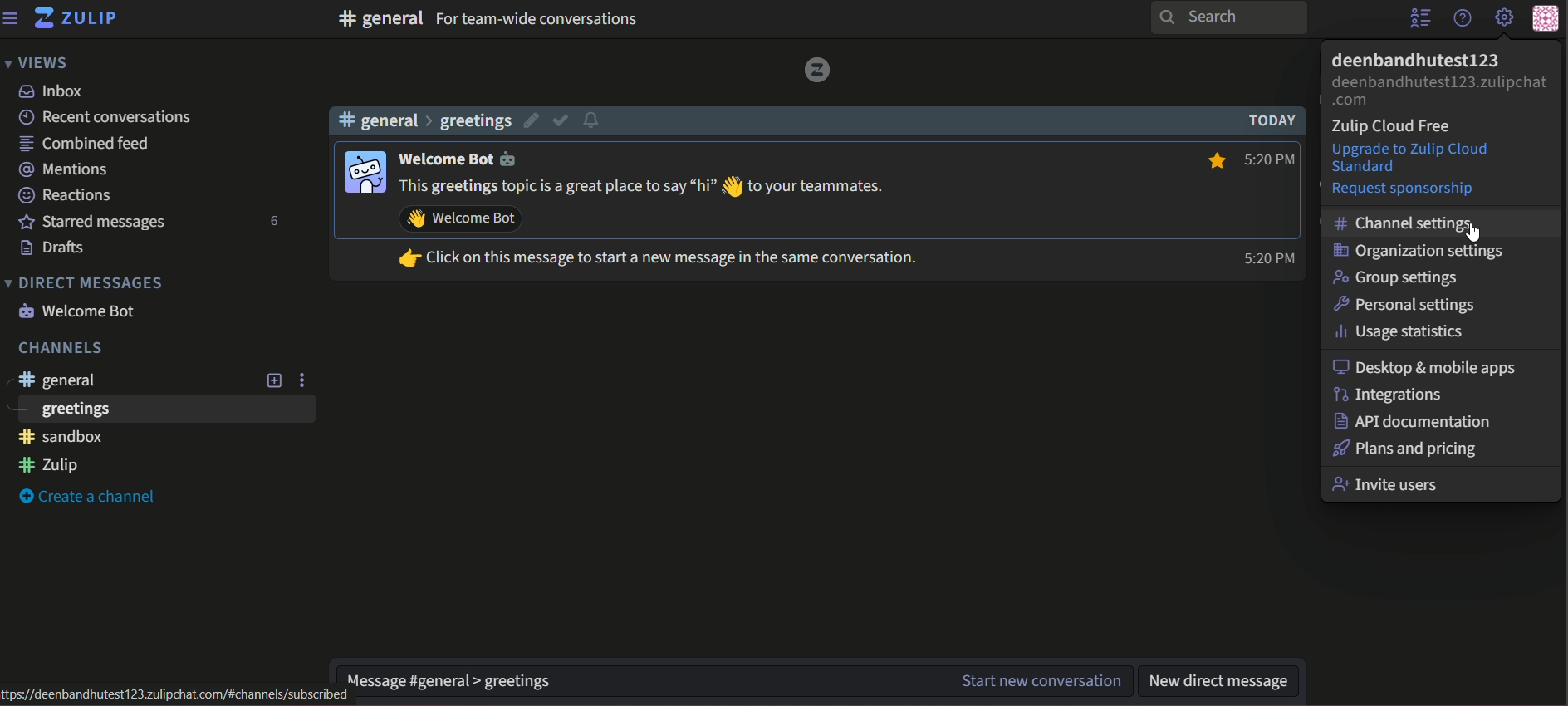 Image resolution: width=1568 pixels, height=706 pixels. I want to click on email, so click(1440, 90).